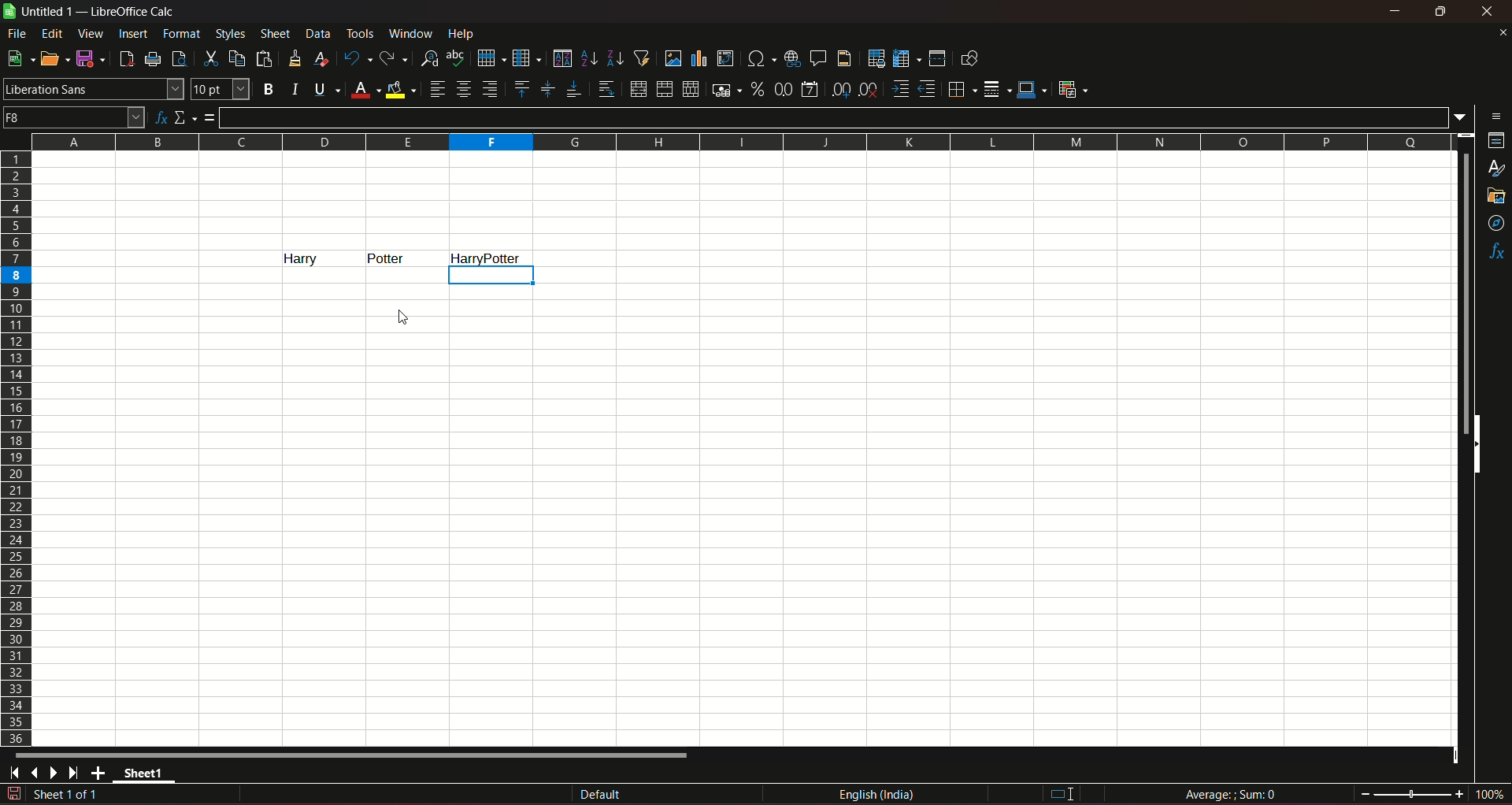  What do you see at coordinates (210, 117) in the screenshot?
I see `formula` at bounding box center [210, 117].